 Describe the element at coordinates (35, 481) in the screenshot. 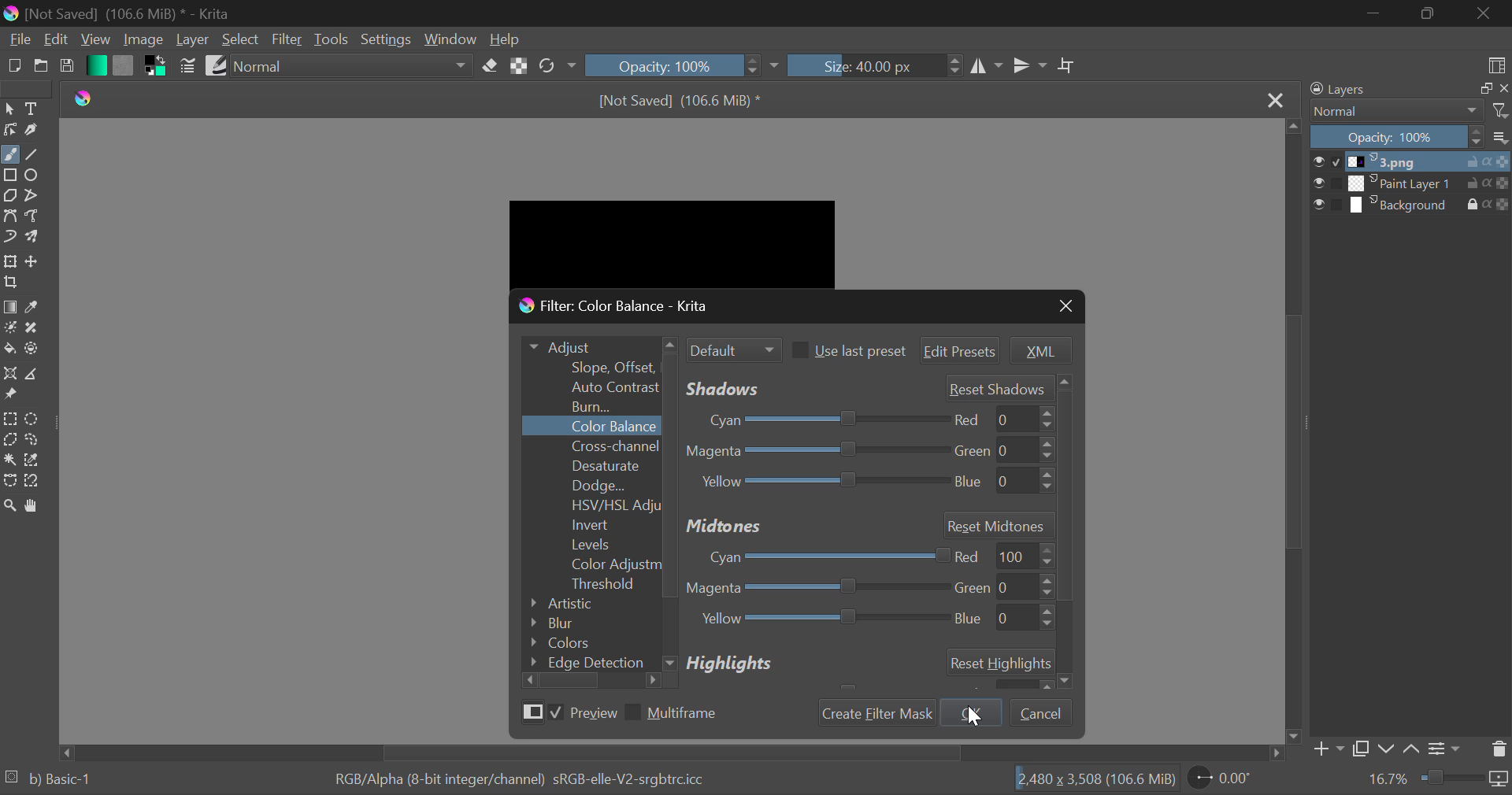

I see `Magnetic Selection` at that location.